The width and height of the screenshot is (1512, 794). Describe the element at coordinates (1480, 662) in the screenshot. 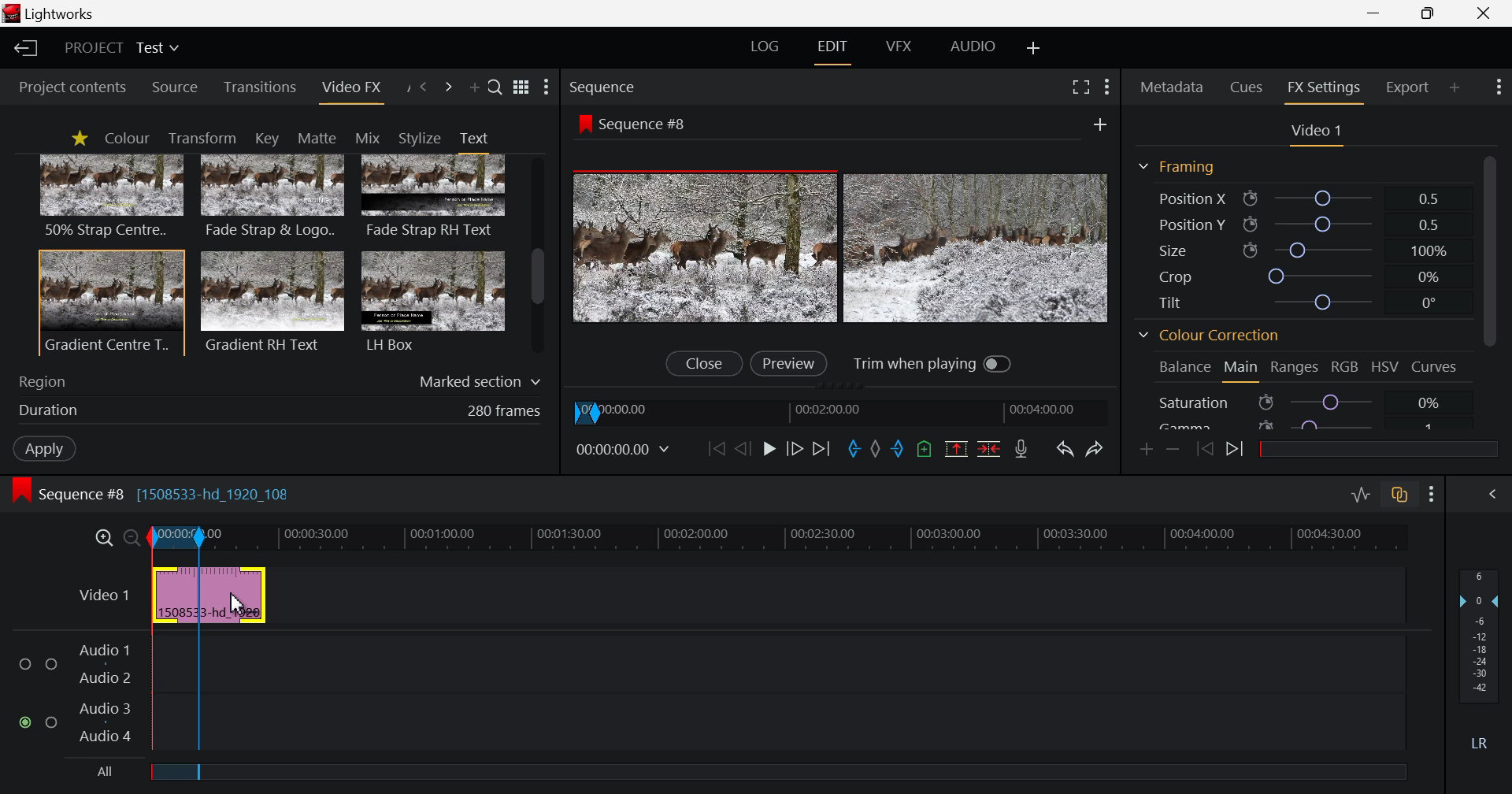

I see `Decibel Level` at that location.